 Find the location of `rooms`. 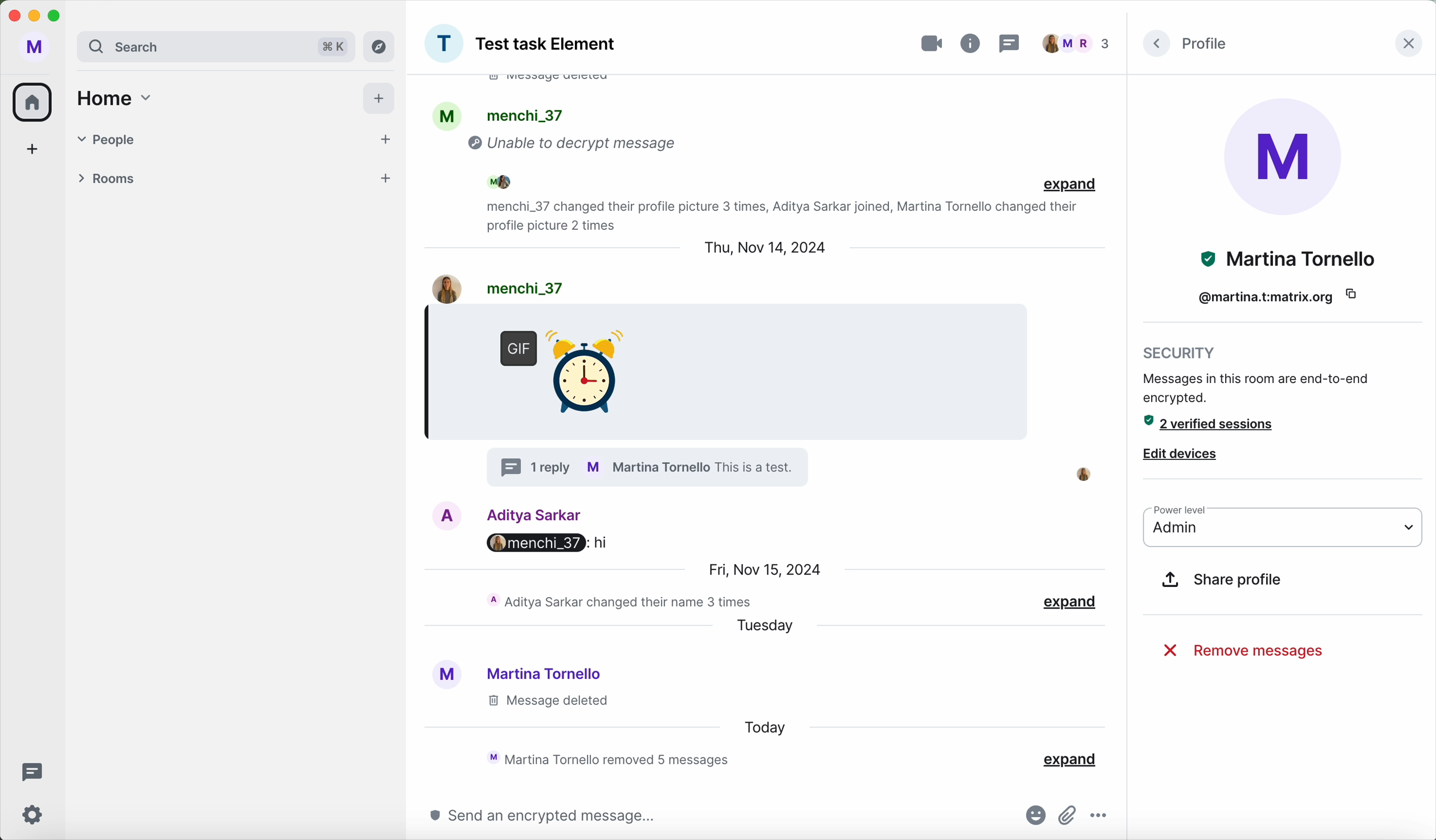

rooms is located at coordinates (203, 177).